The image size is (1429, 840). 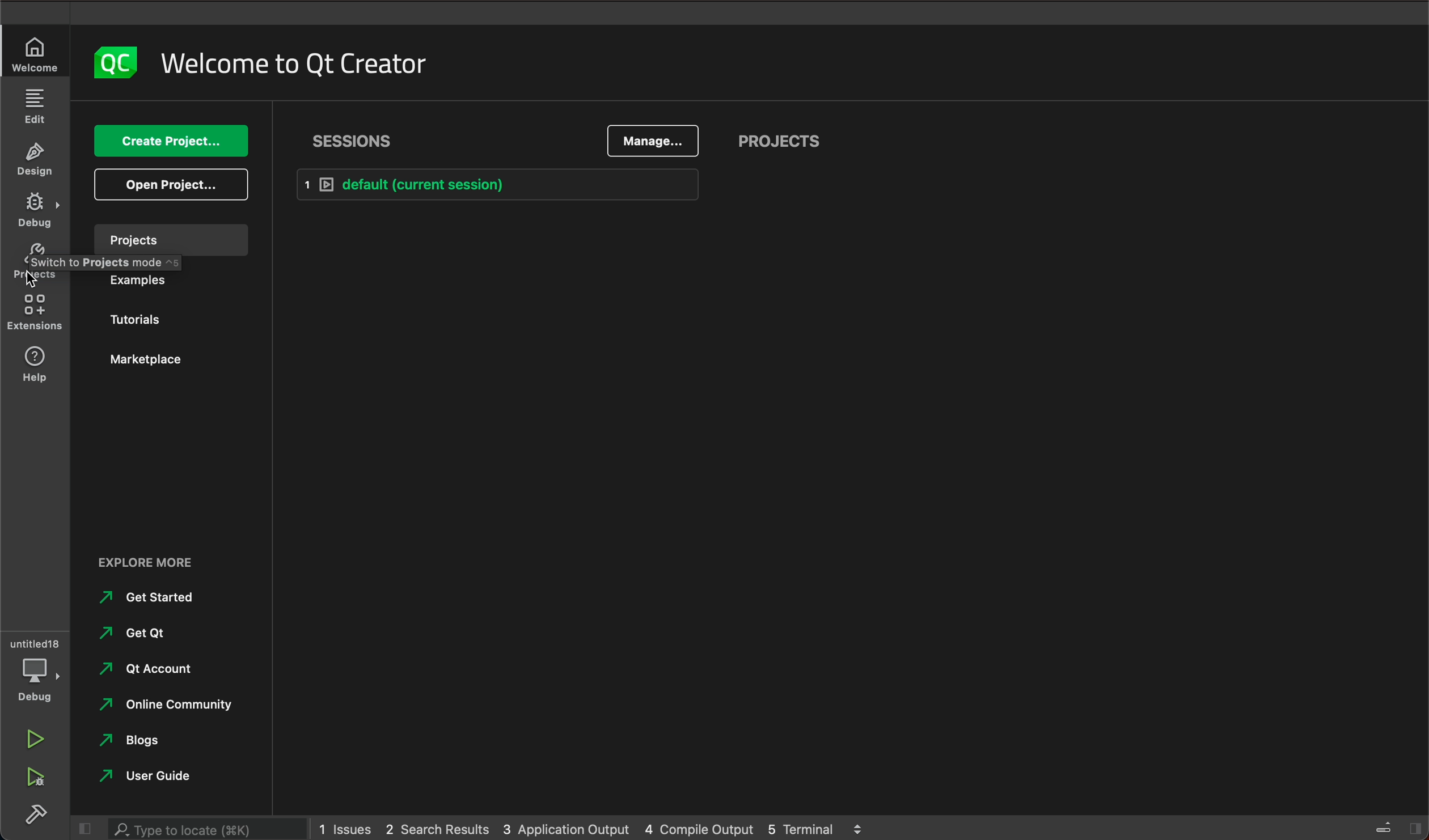 What do you see at coordinates (175, 241) in the screenshot?
I see `projects` at bounding box center [175, 241].